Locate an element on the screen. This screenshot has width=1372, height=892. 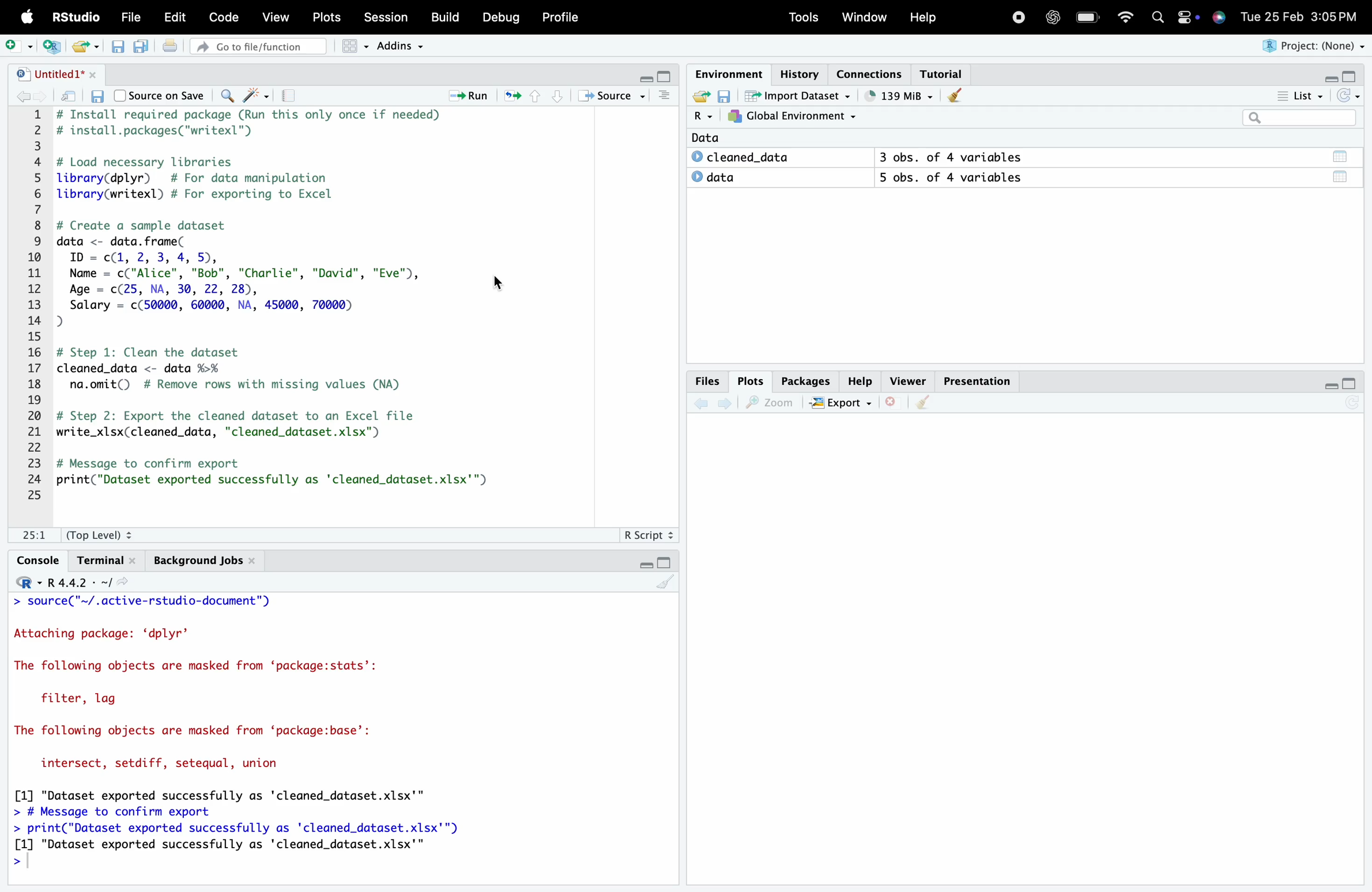
Profile is located at coordinates (560, 18).